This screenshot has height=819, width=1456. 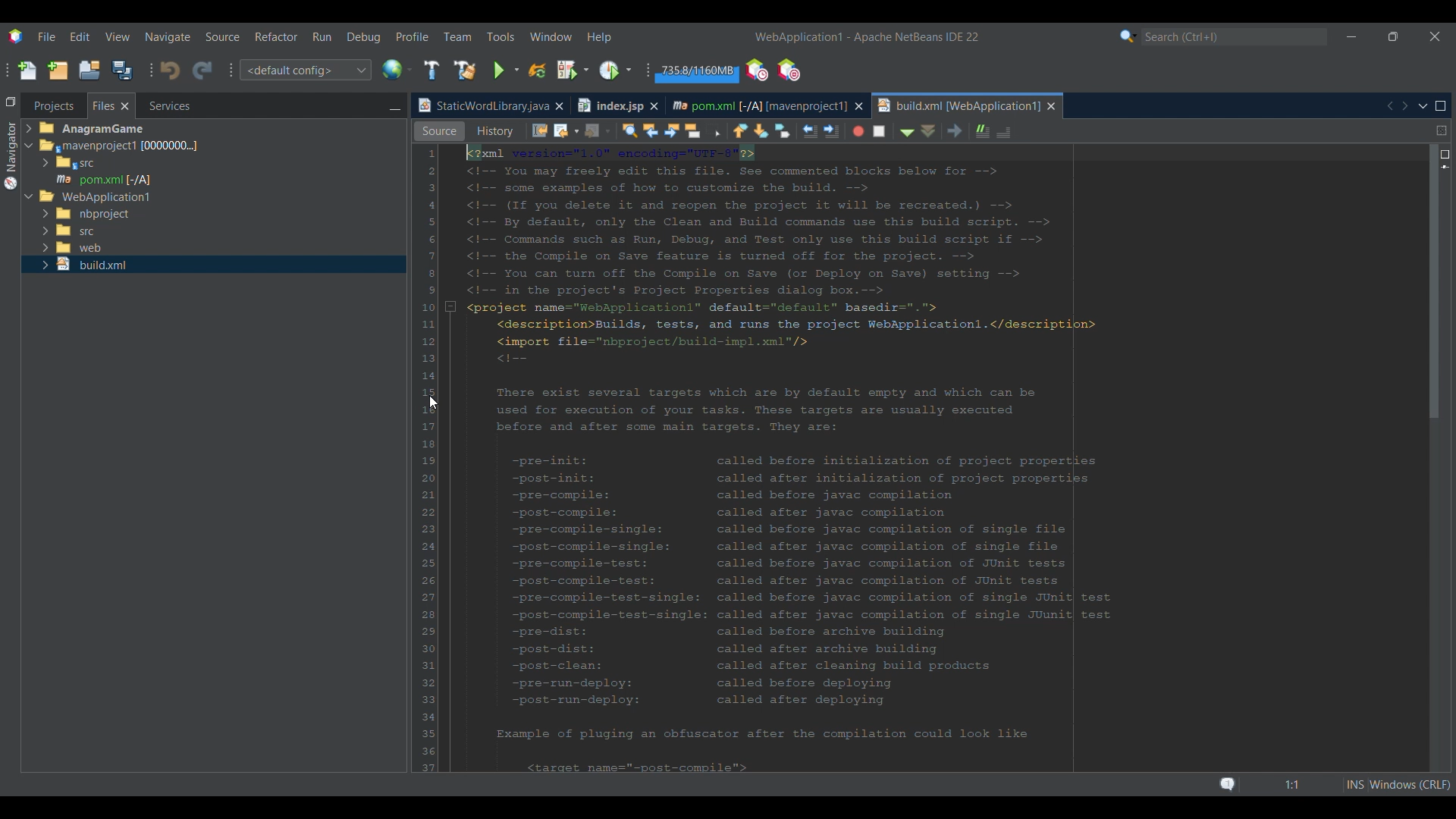 What do you see at coordinates (465, 71) in the screenshot?
I see `Clean and build main project` at bounding box center [465, 71].